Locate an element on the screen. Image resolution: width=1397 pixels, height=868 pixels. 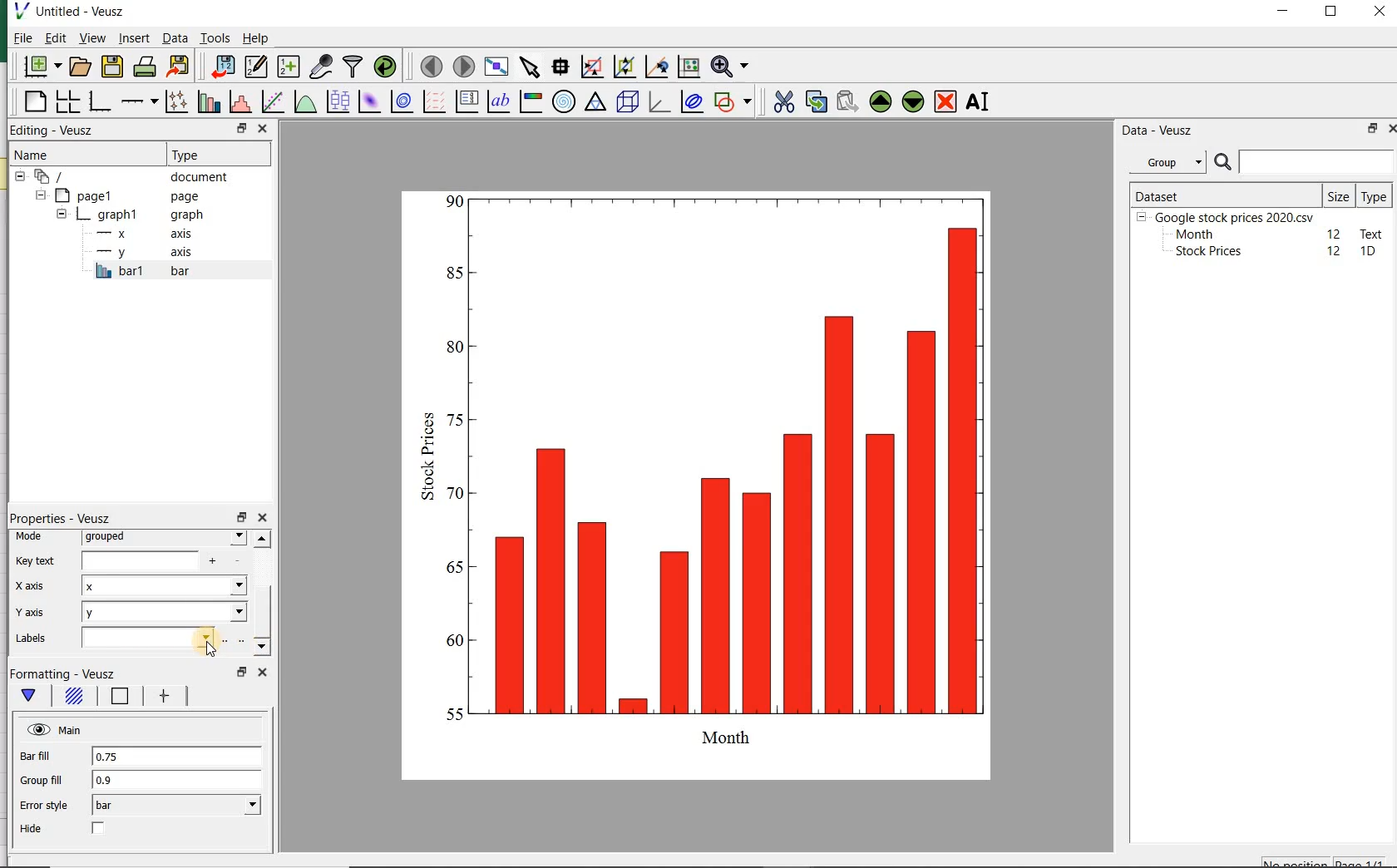
plot a function is located at coordinates (304, 103).